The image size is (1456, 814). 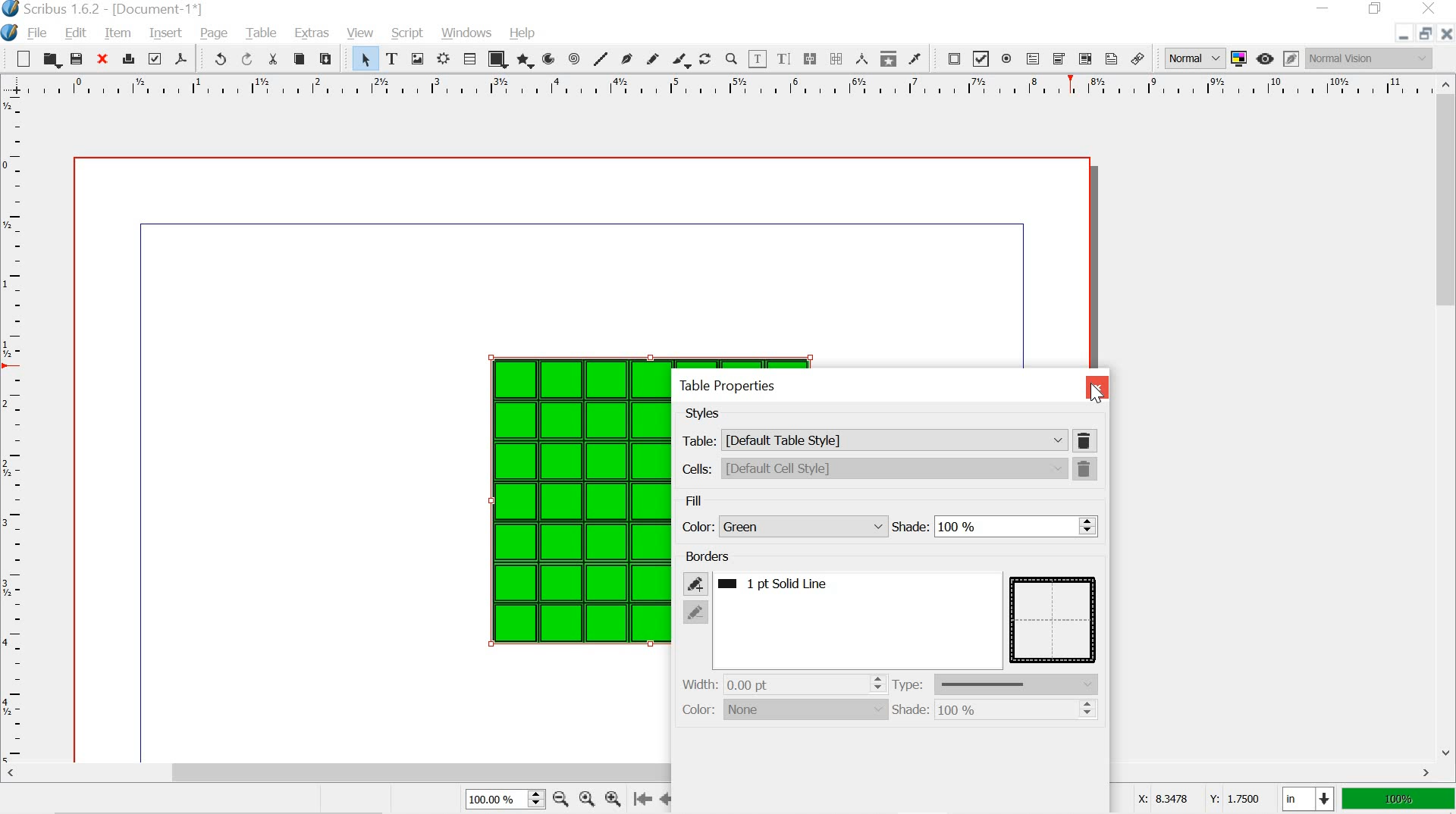 What do you see at coordinates (408, 34) in the screenshot?
I see `script` at bounding box center [408, 34].